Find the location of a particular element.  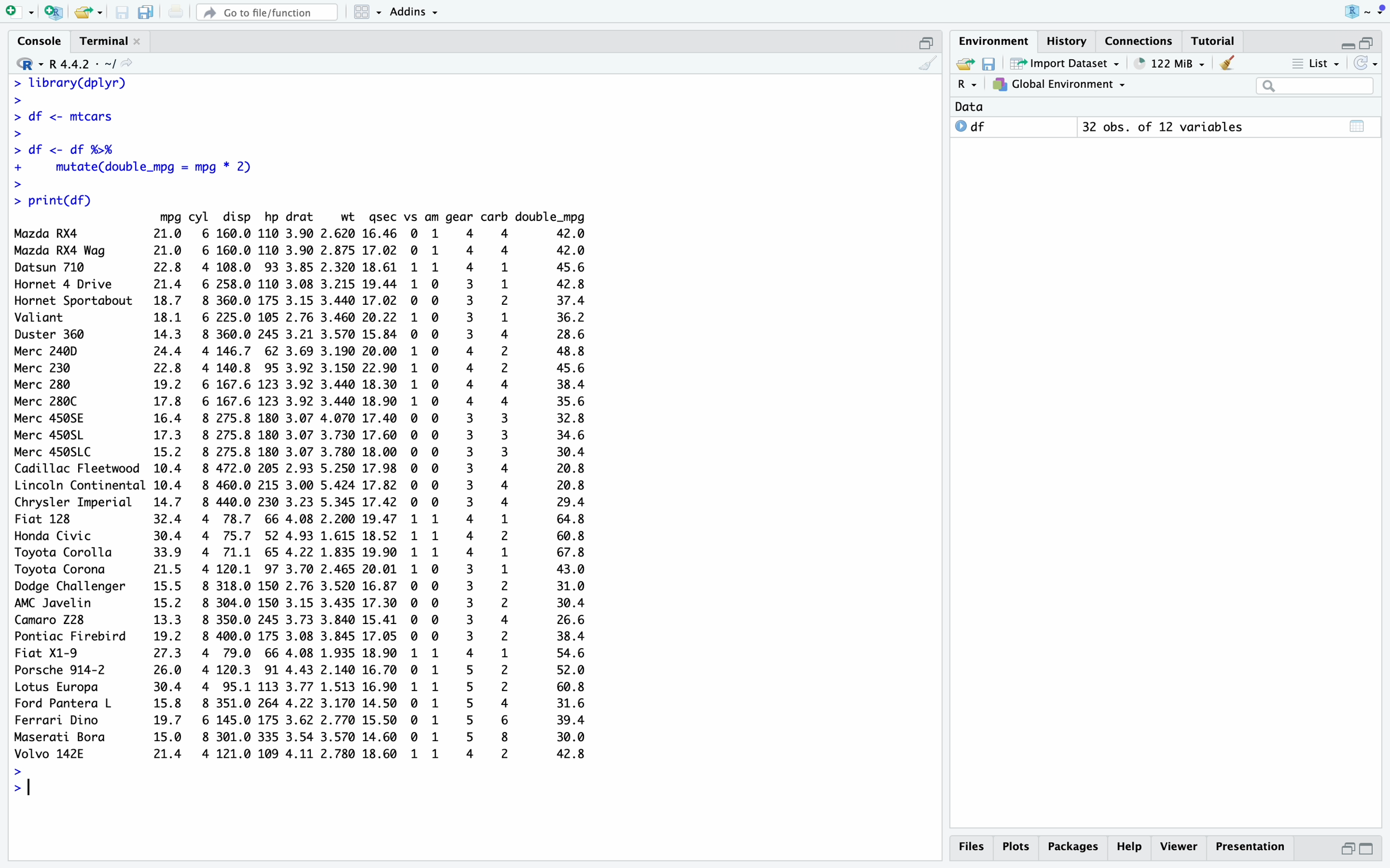

viewer is located at coordinates (1179, 847).